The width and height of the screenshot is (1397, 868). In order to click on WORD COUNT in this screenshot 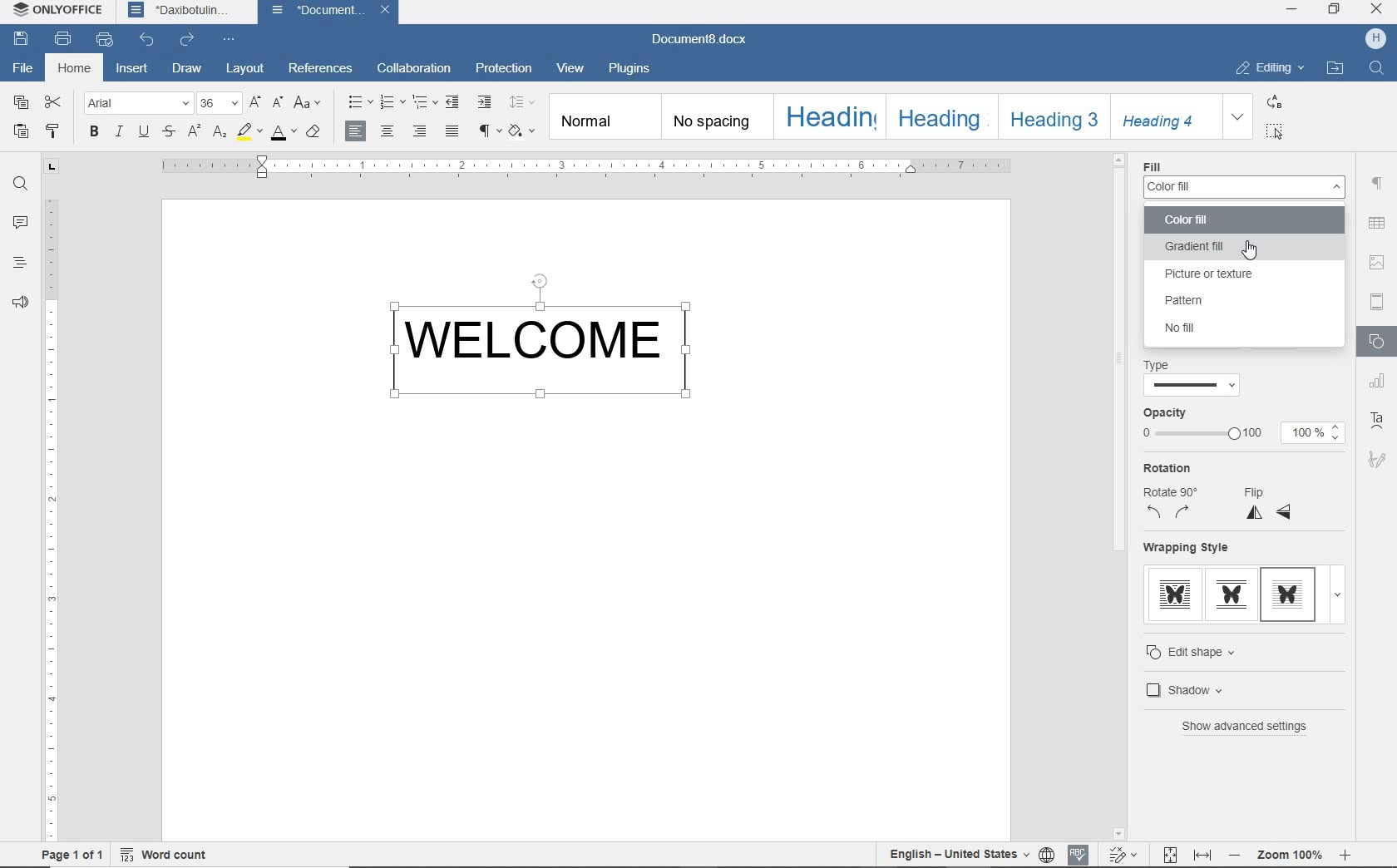, I will do `click(165, 854)`.